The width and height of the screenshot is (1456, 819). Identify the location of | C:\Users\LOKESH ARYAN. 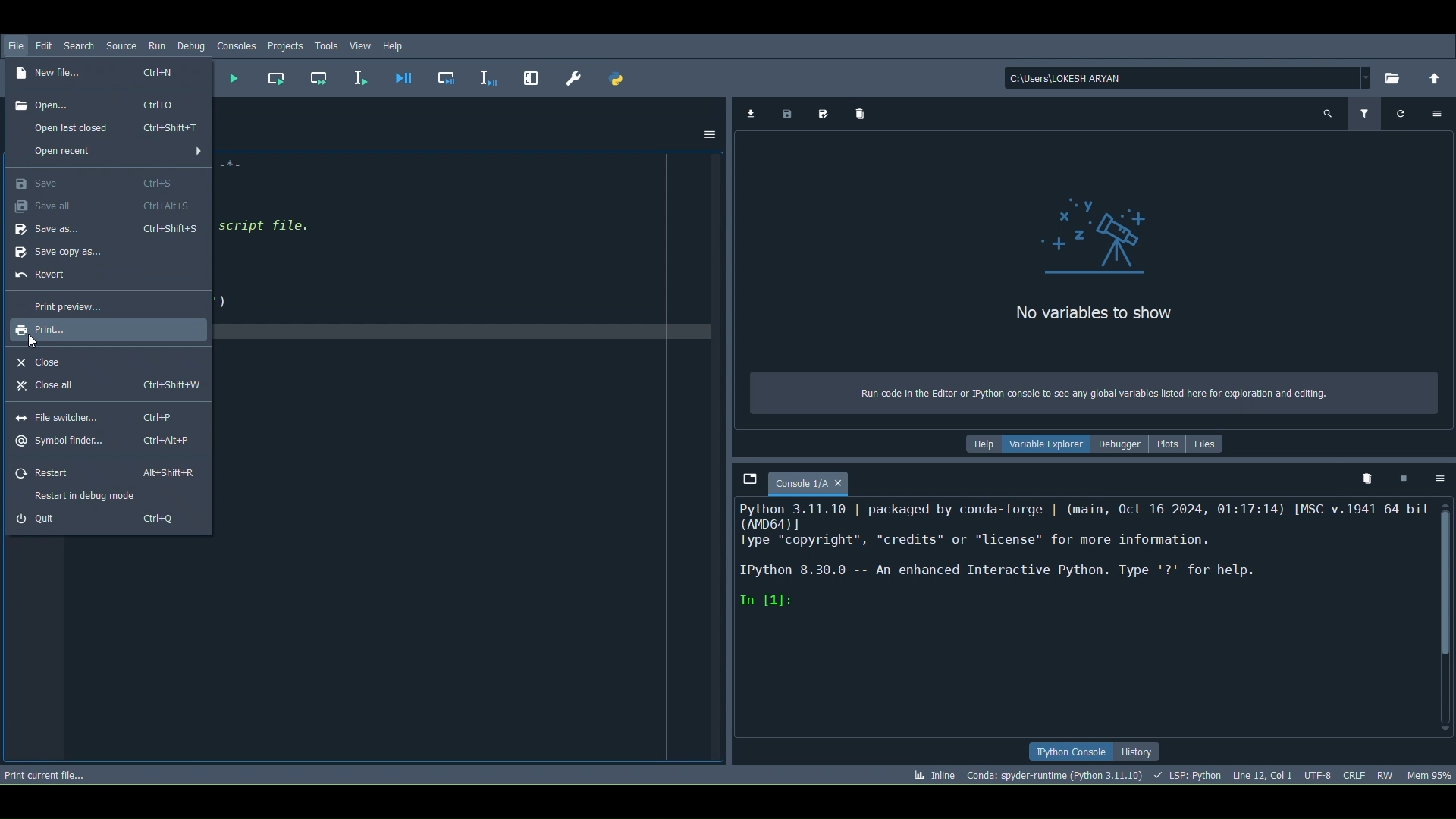
(1181, 78).